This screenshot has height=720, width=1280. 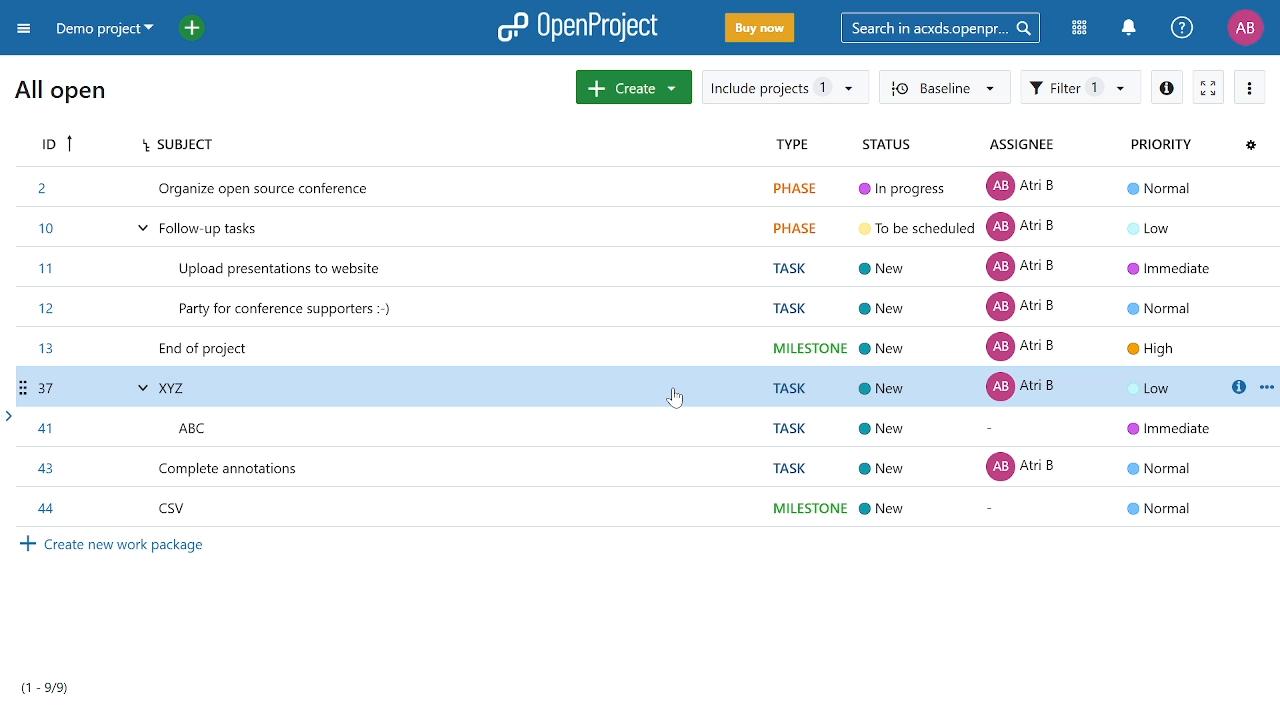 What do you see at coordinates (645, 232) in the screenshot?
I see `work package ID 10 details` at bounding box center [645, 232].